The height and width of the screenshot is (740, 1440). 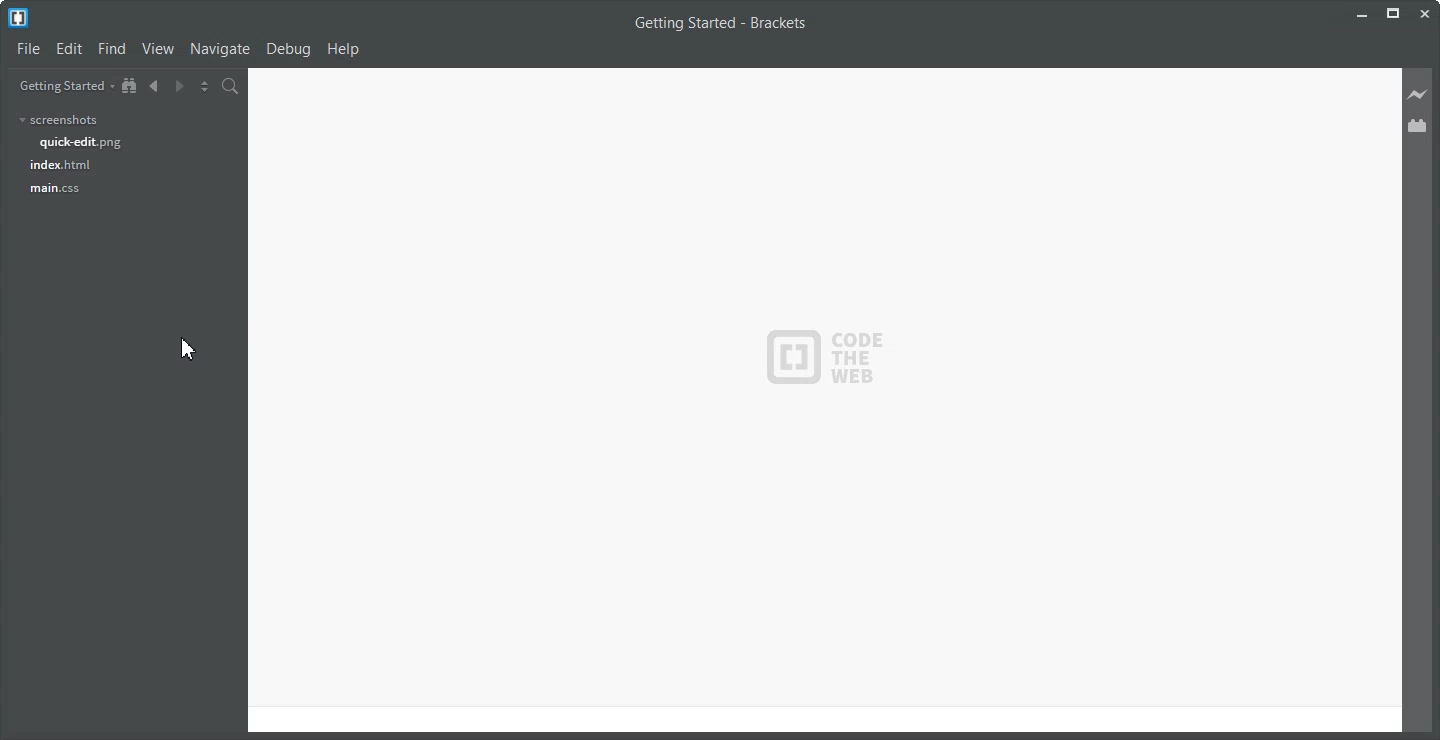 I want to click on screenshots, so click(x=59, y=121).